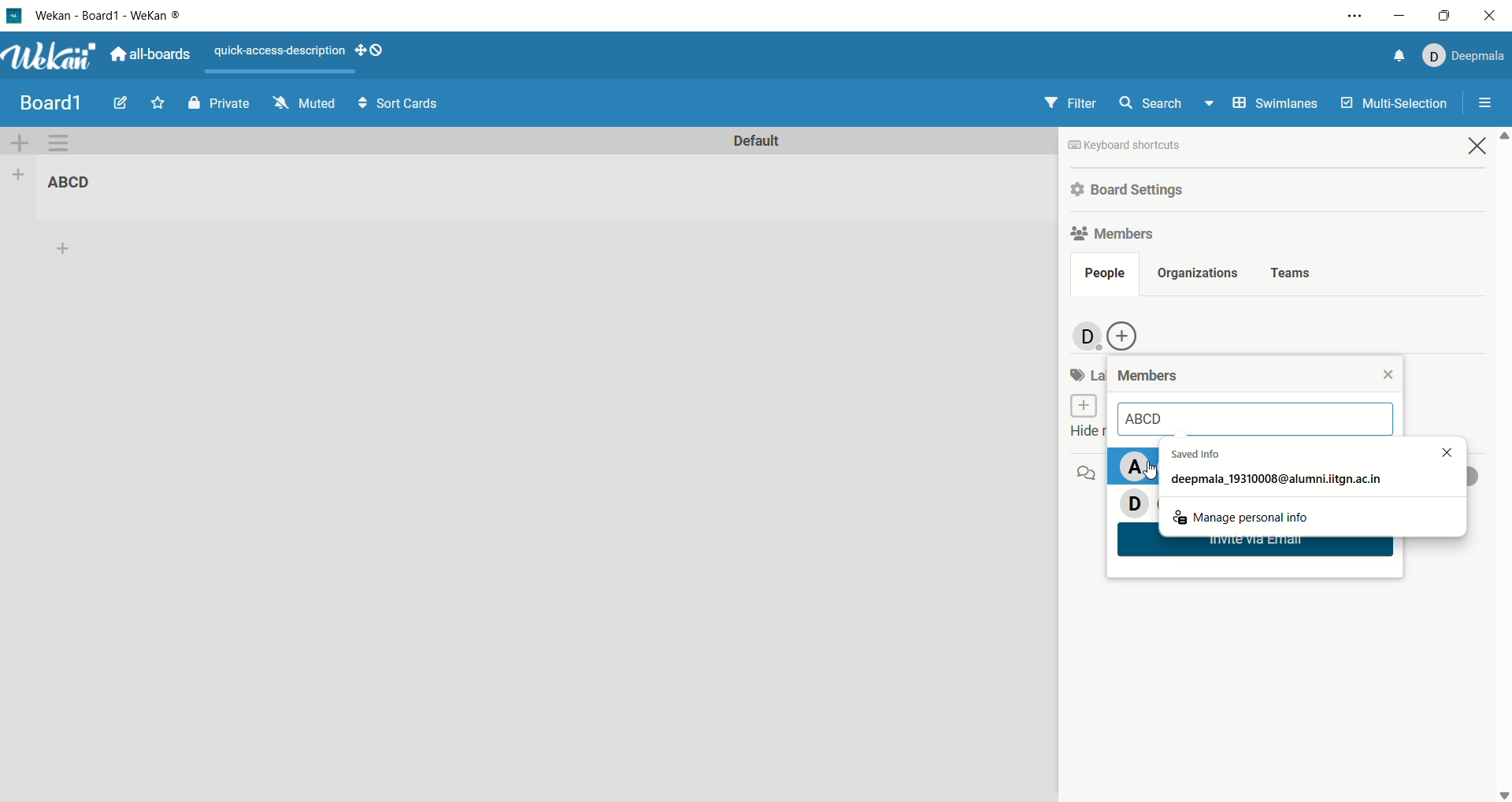  I want to click on members, so click(1116, 232).